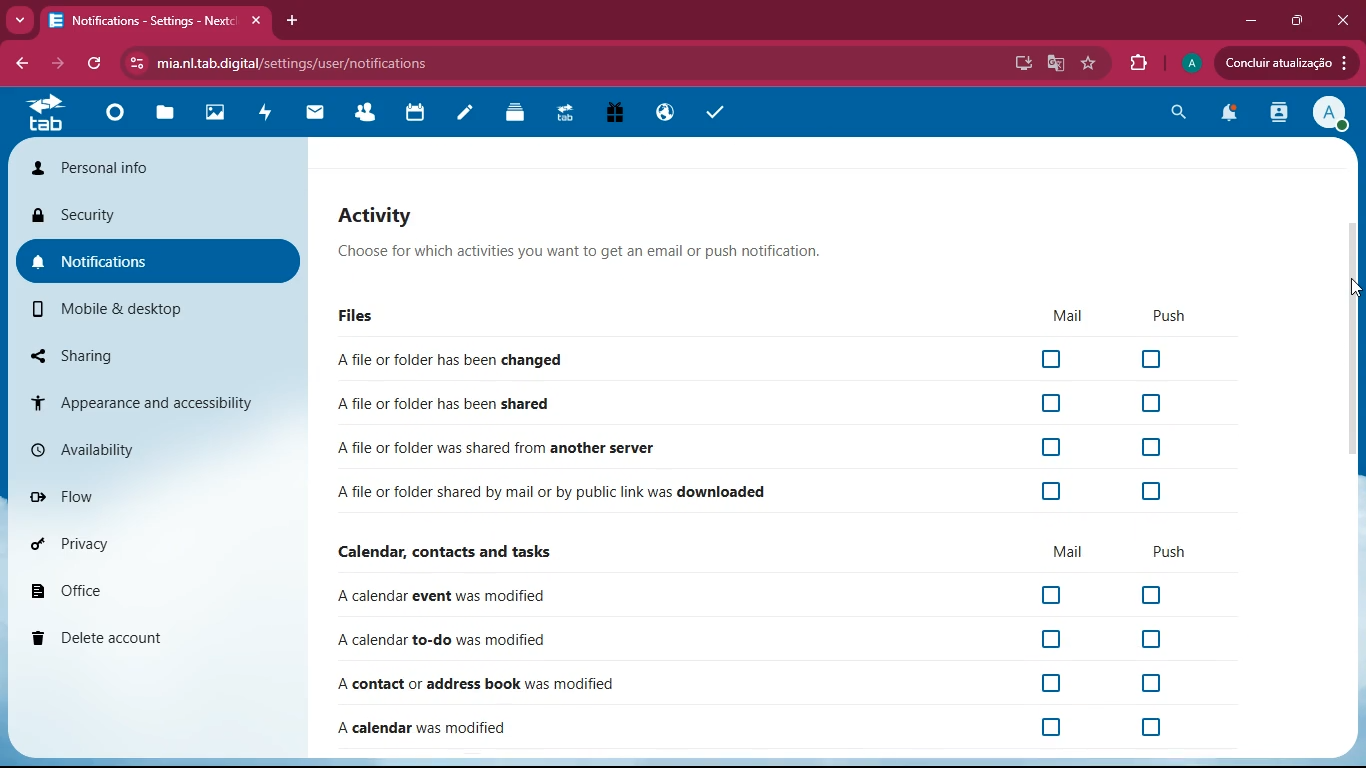 This screenshot has width=1366, height=768. Describe the element at coordinates (165, 586) in the screenshot. I see `office` at that location.